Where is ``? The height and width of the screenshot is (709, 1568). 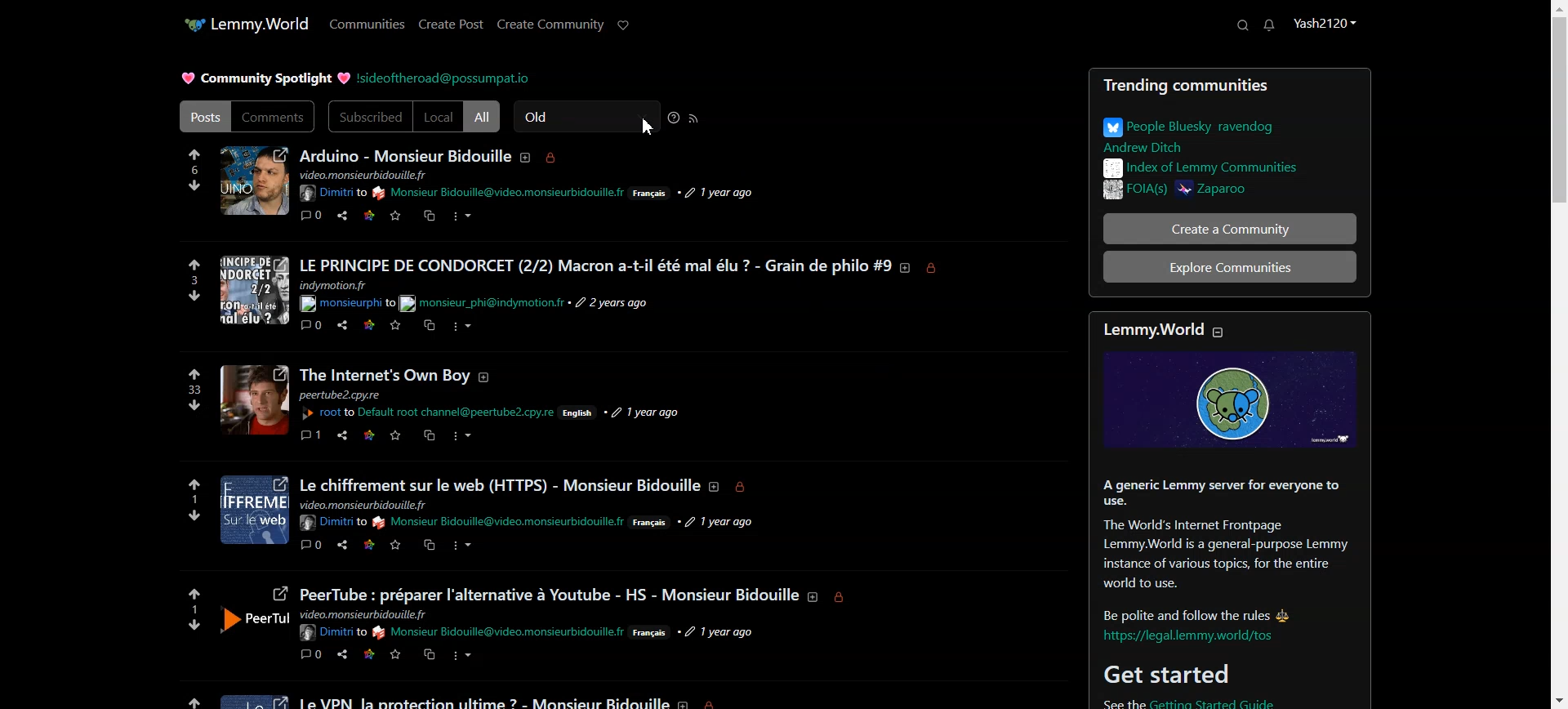
 is located at coordinates (429, 412).